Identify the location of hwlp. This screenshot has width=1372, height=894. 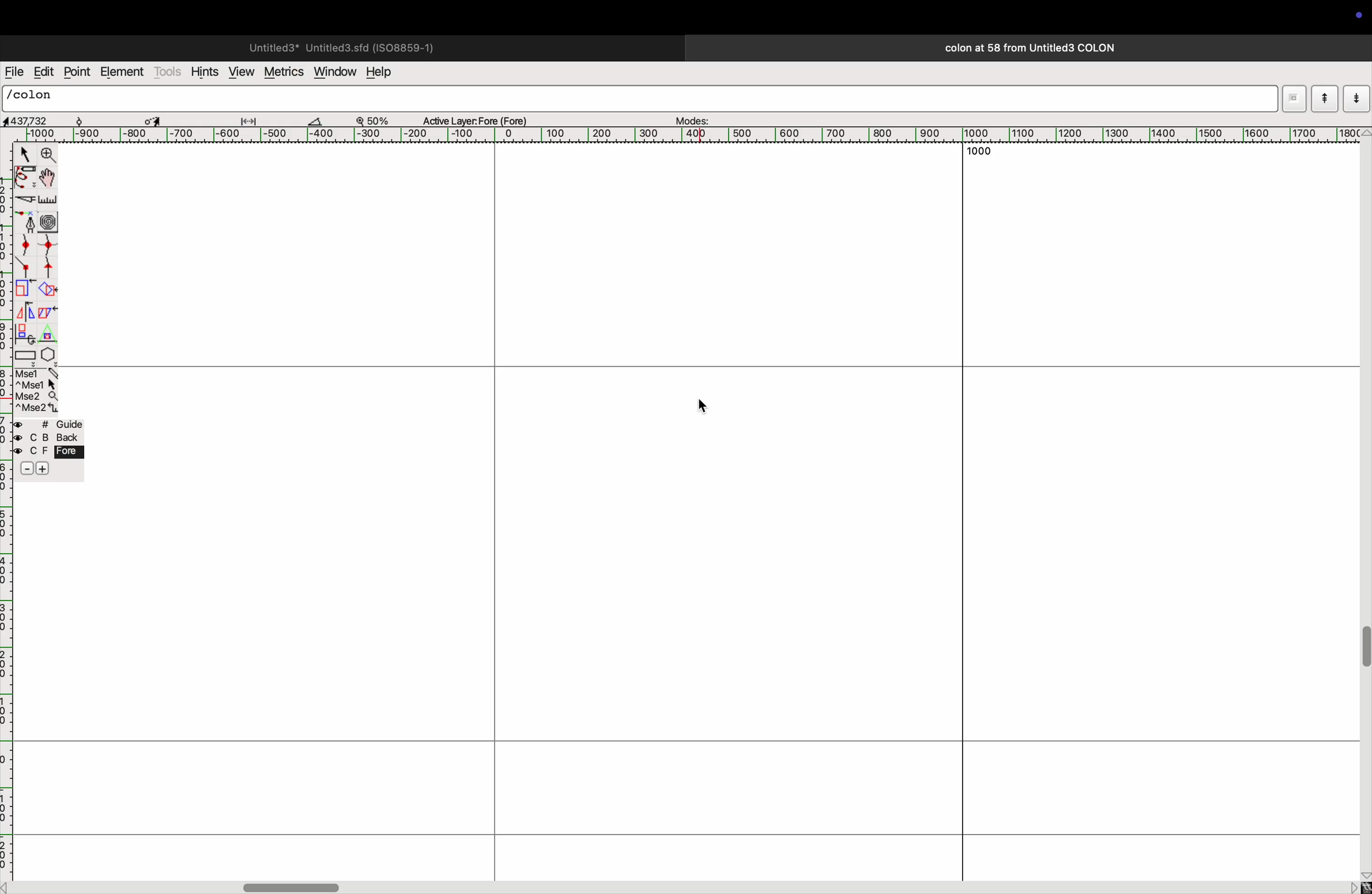
(386, 73).